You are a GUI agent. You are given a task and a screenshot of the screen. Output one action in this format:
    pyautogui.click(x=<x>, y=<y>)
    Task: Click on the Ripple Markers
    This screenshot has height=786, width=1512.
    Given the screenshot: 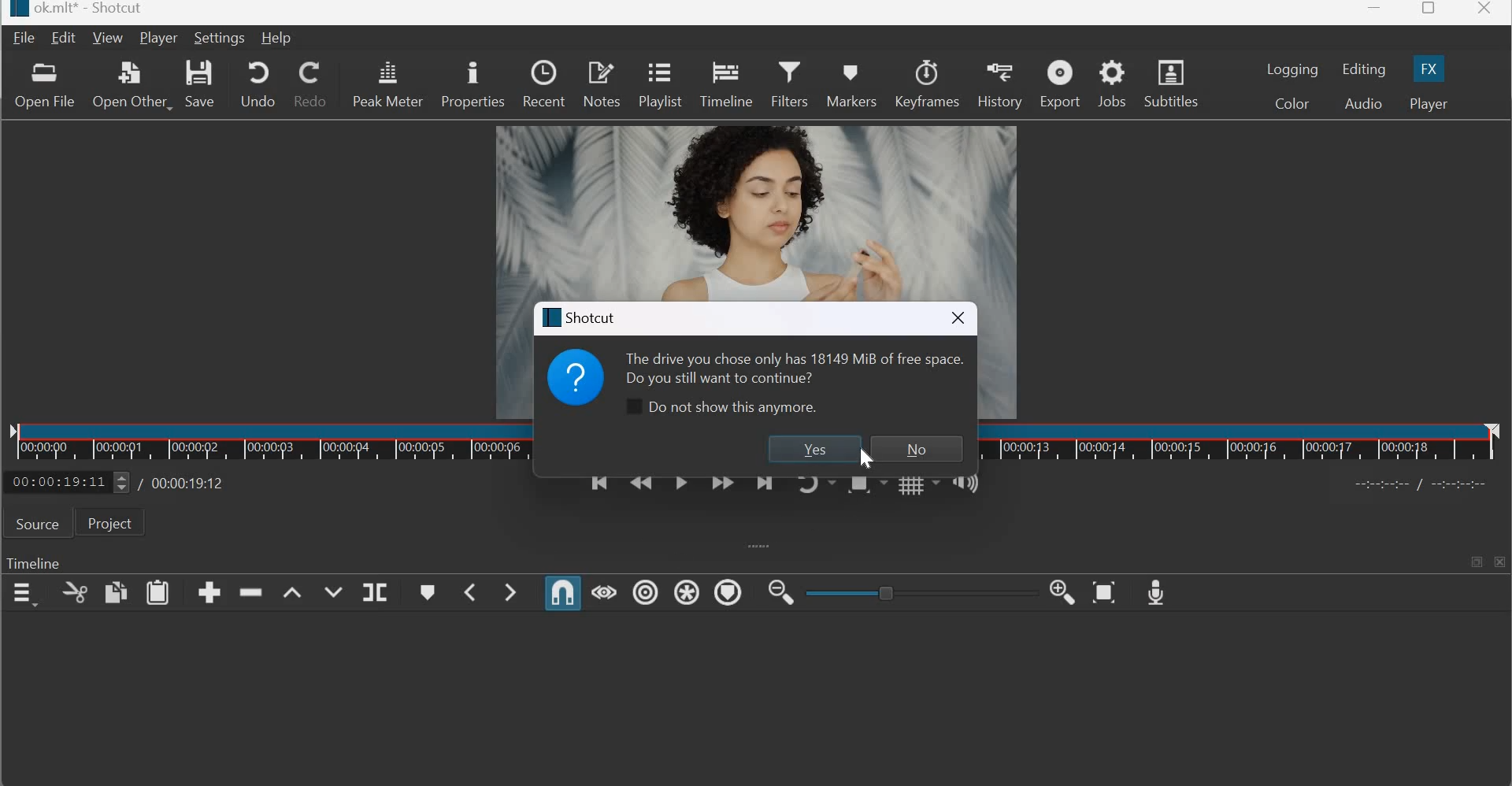 What is the action you would take?
    pyautogui.click(x=728, y=595)
    